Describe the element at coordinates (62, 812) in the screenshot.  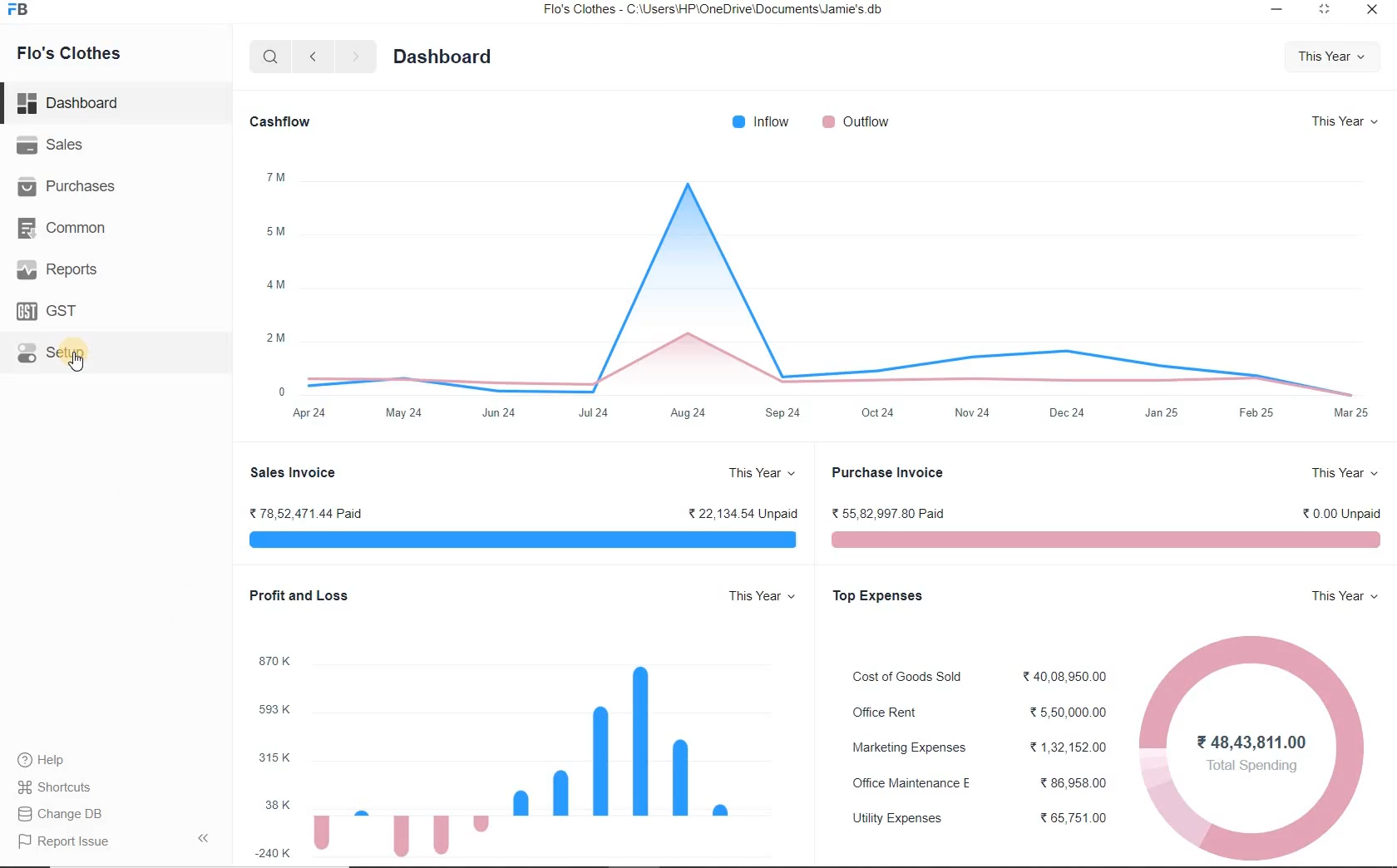
I see `Change DB` at that location.